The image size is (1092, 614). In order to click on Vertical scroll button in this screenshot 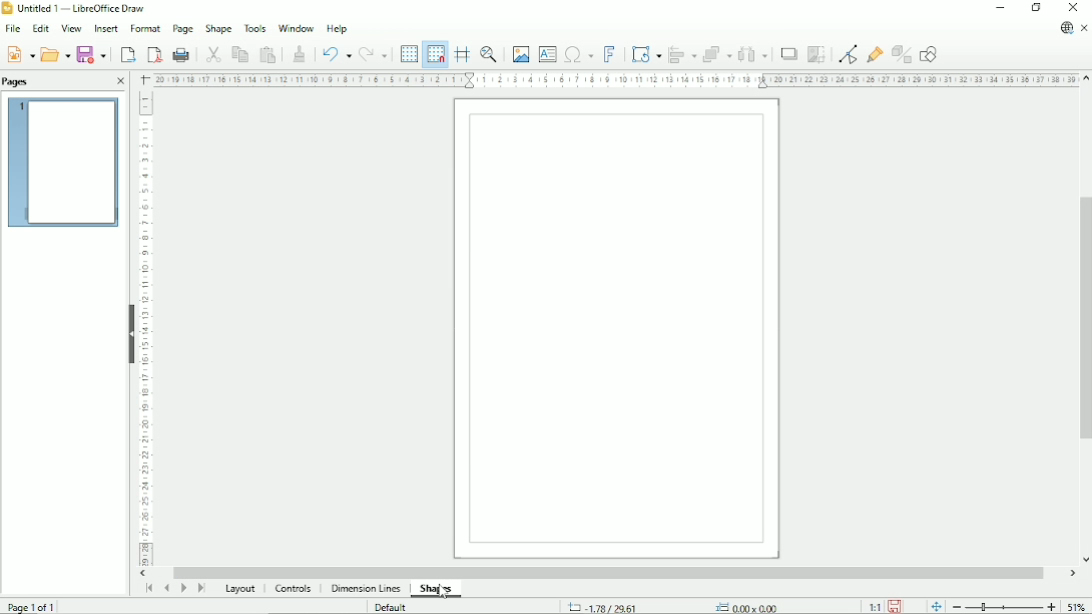, I will do `click(1084, 559)`.